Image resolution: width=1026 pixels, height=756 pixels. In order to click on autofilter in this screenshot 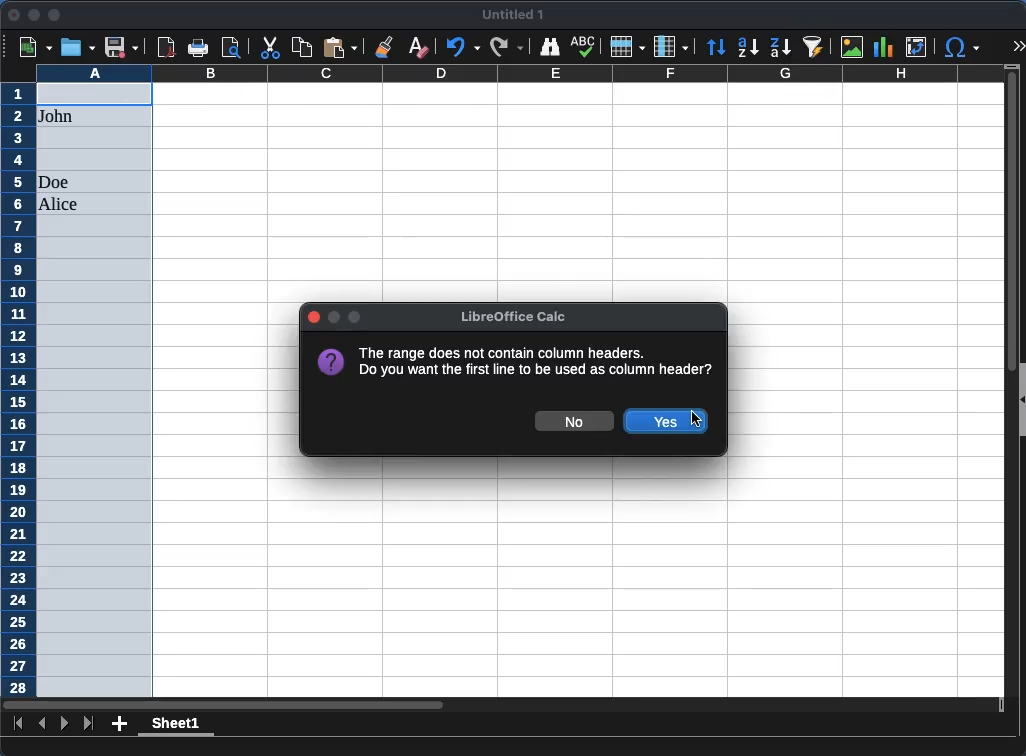, I will do `click(817, 48)`.